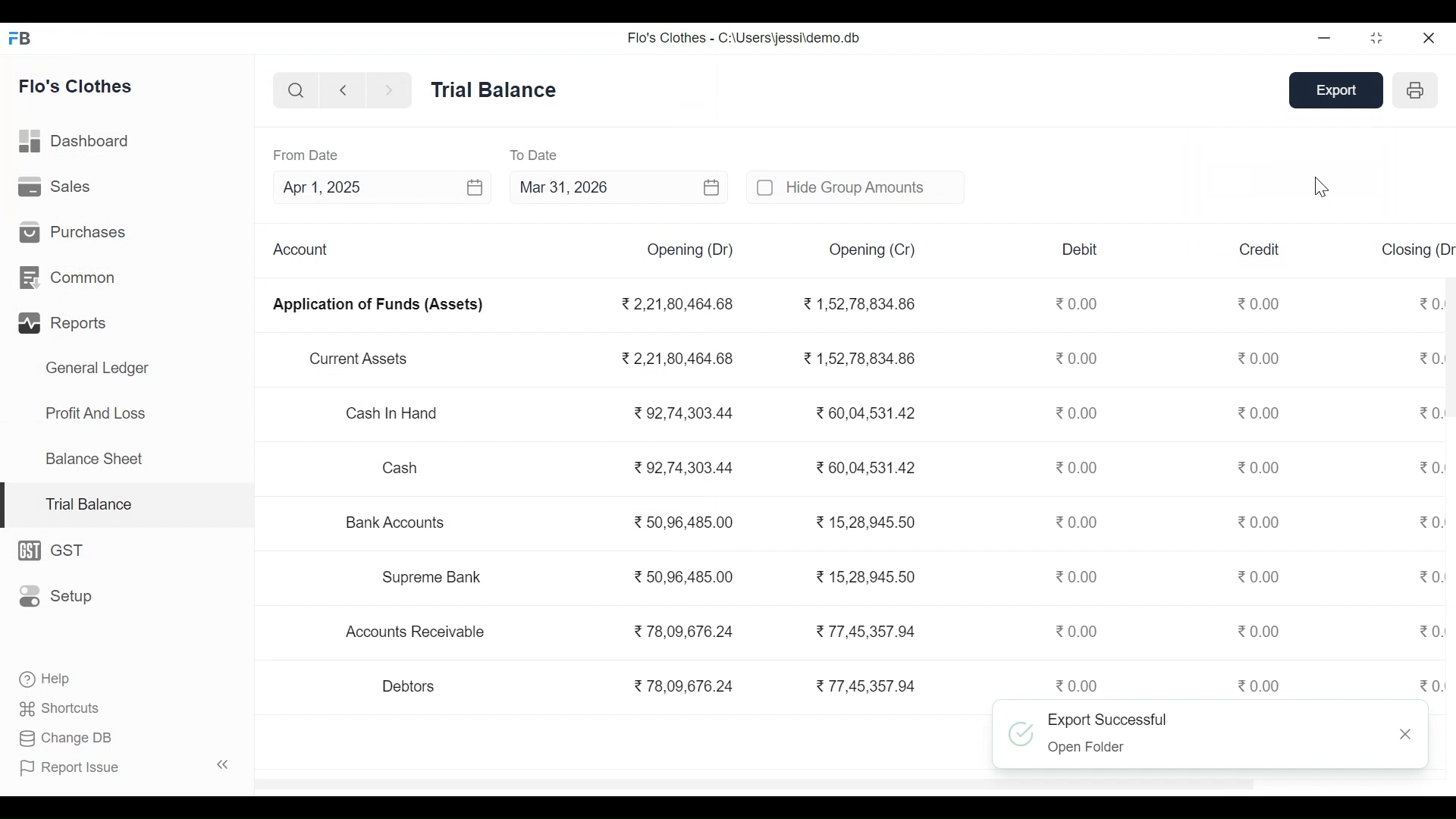  Describe the element at coordinates (1080, 631) in the screenshot. I see `0.00` at that location.